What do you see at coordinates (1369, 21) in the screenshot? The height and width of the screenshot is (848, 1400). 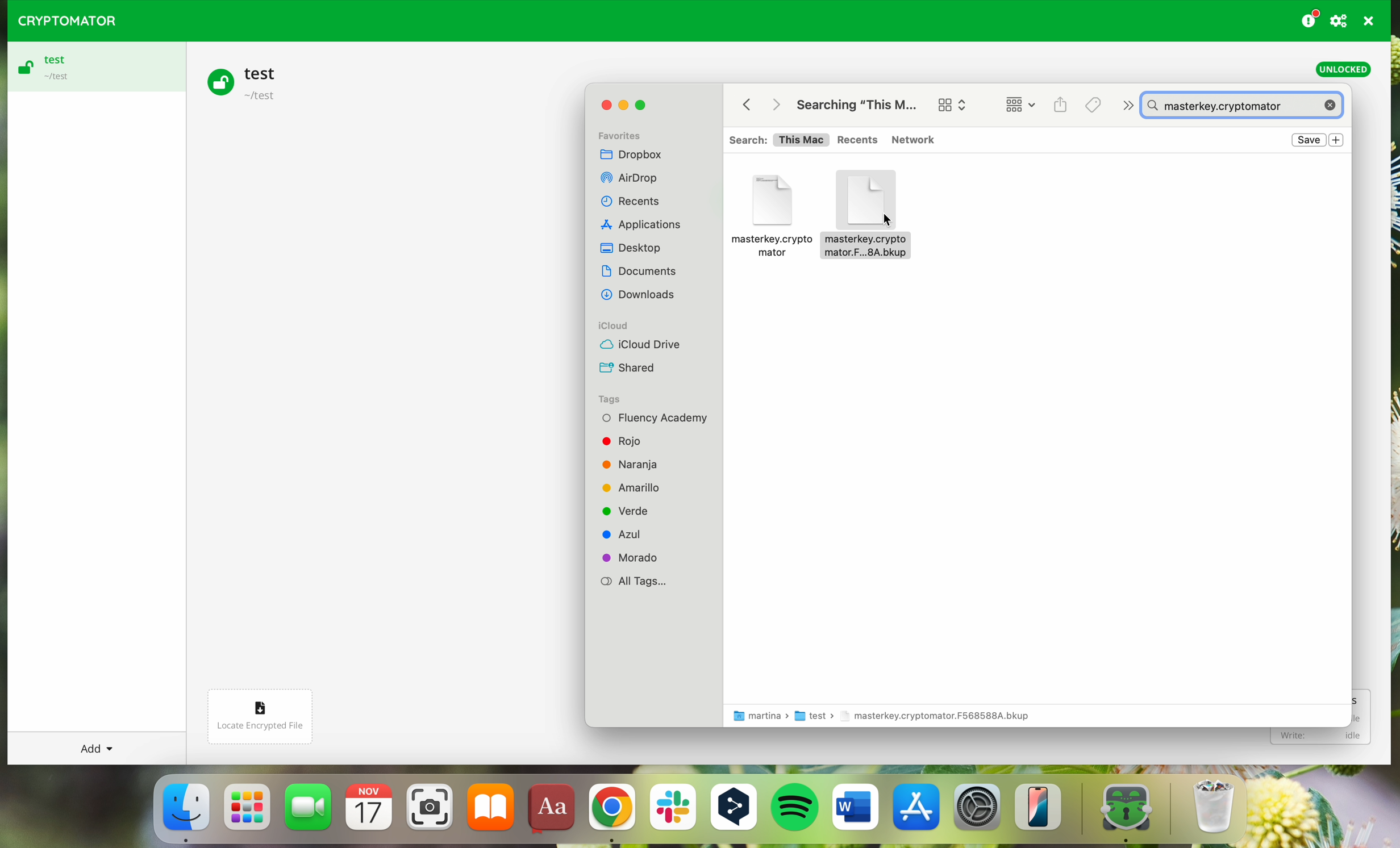 I see `quit program` at bounding box center [1369, 21].